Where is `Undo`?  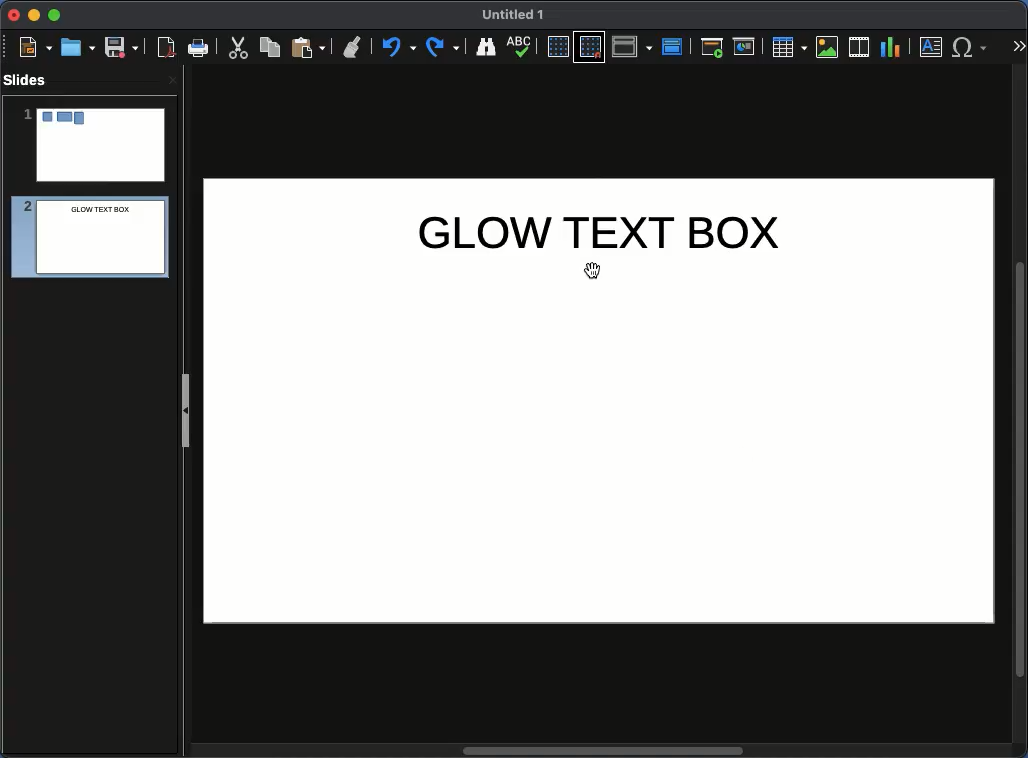 Undo is located at coordinates (397, 47).